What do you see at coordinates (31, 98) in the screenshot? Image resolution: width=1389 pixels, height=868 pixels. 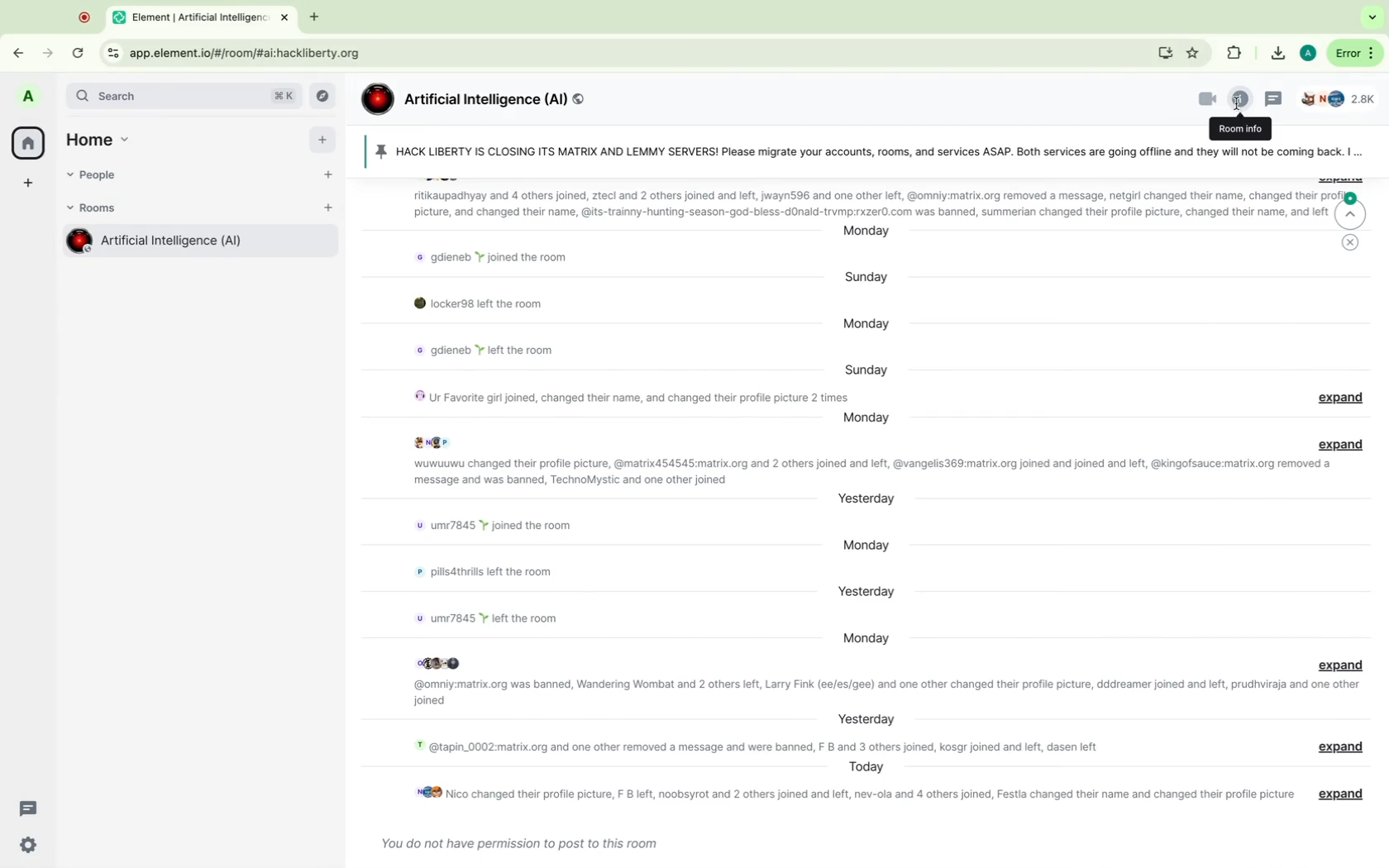 I see `profile picture` at bounding box center [31, 98].